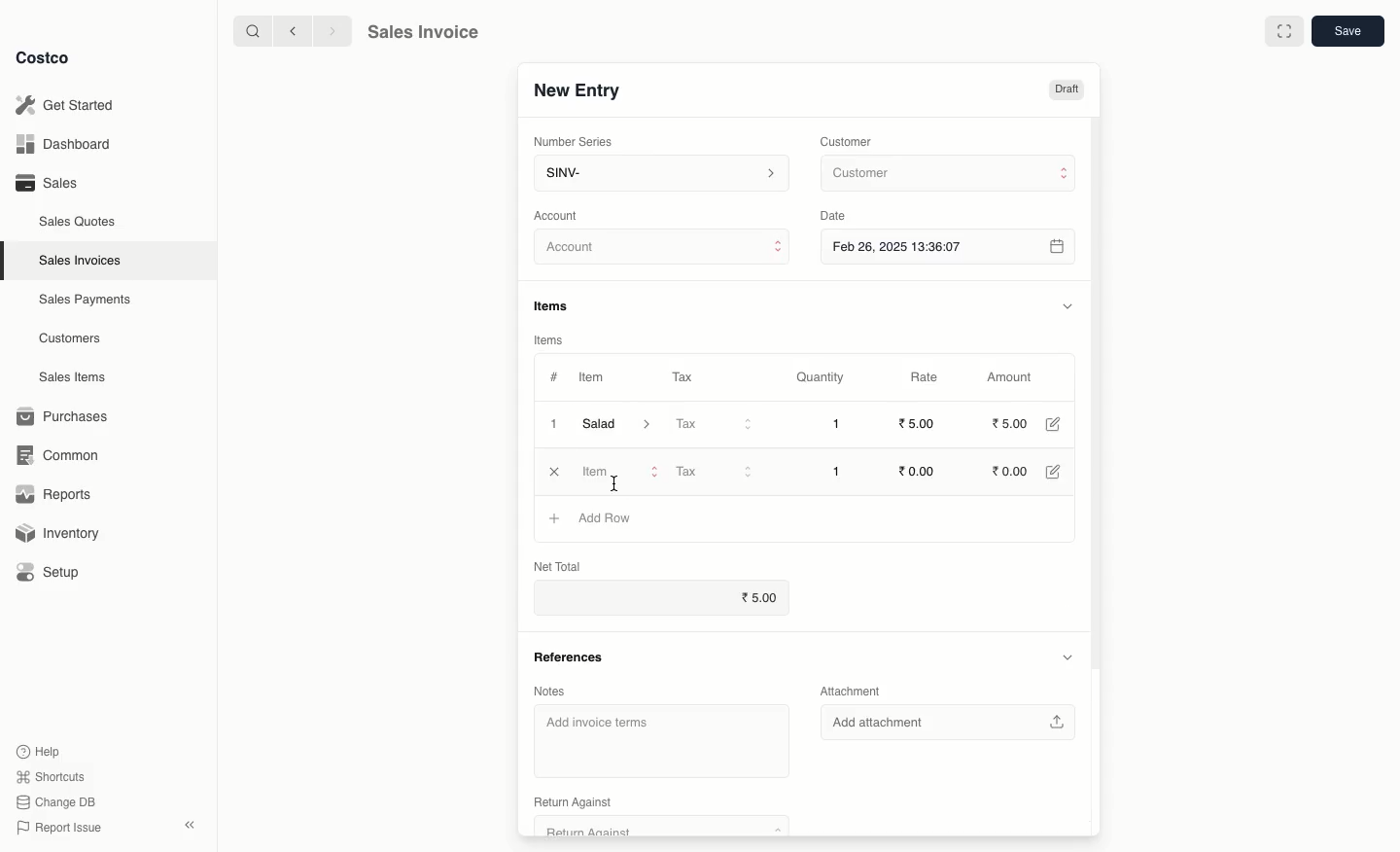 The image size is (1400, 852). Describe the element at coordinates (570, 142) in the screenshot. I see `‘Number Series` at that location.